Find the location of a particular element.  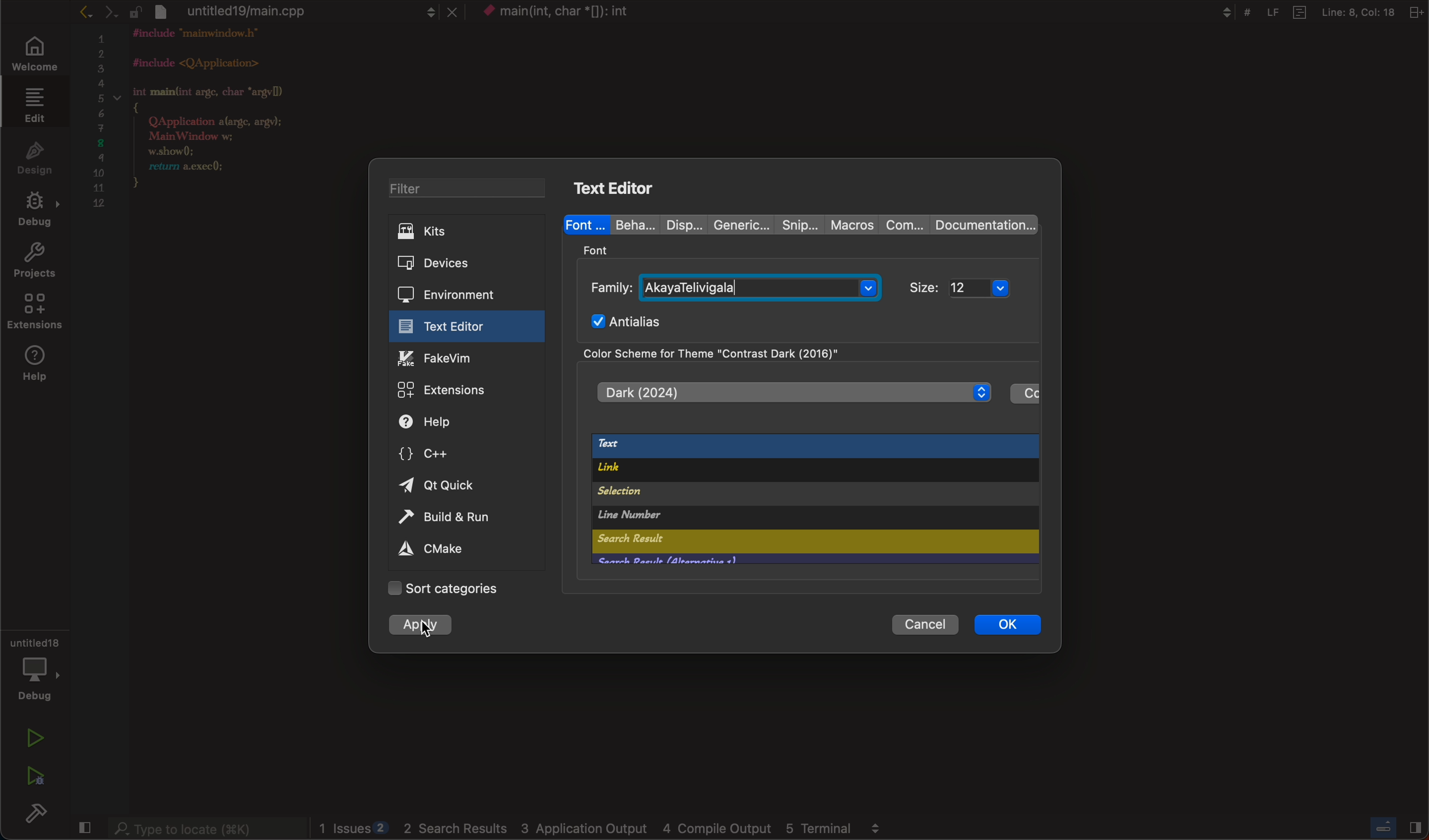

logs is located at coordinates (605, 828).